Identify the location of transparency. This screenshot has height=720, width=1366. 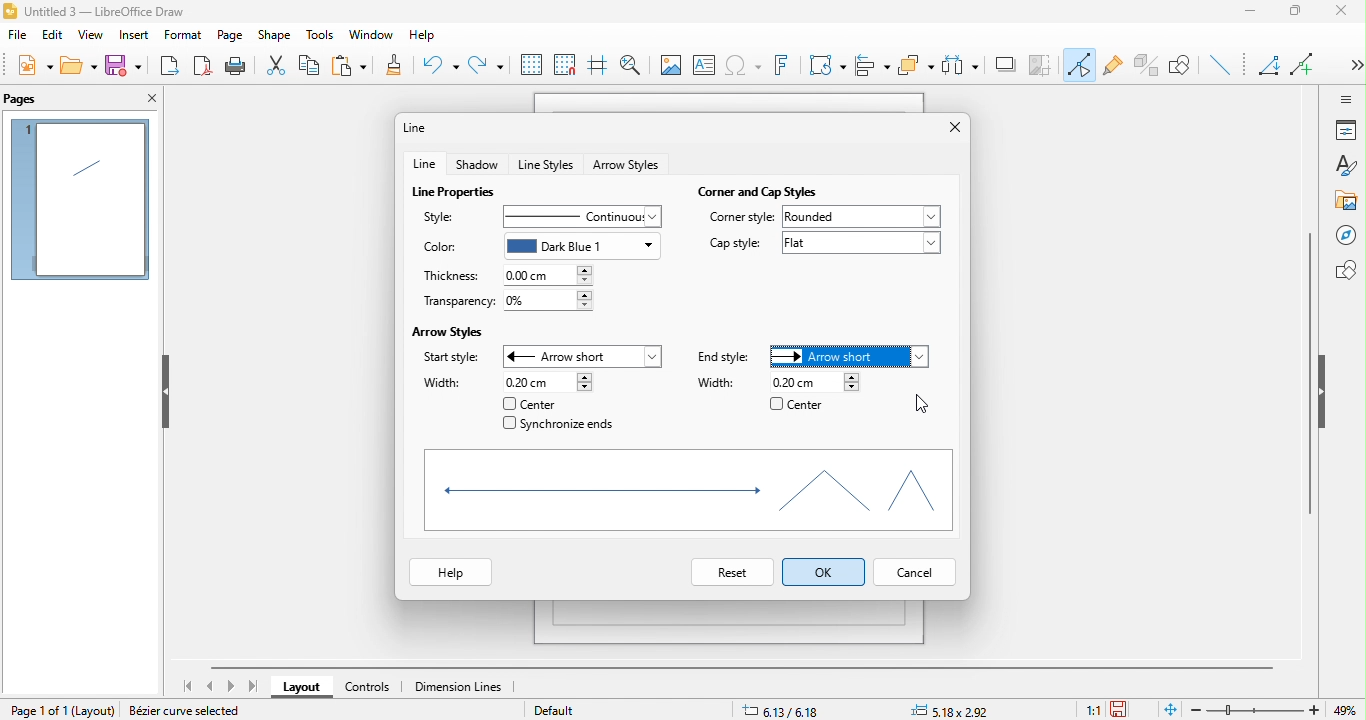
(454, 302).